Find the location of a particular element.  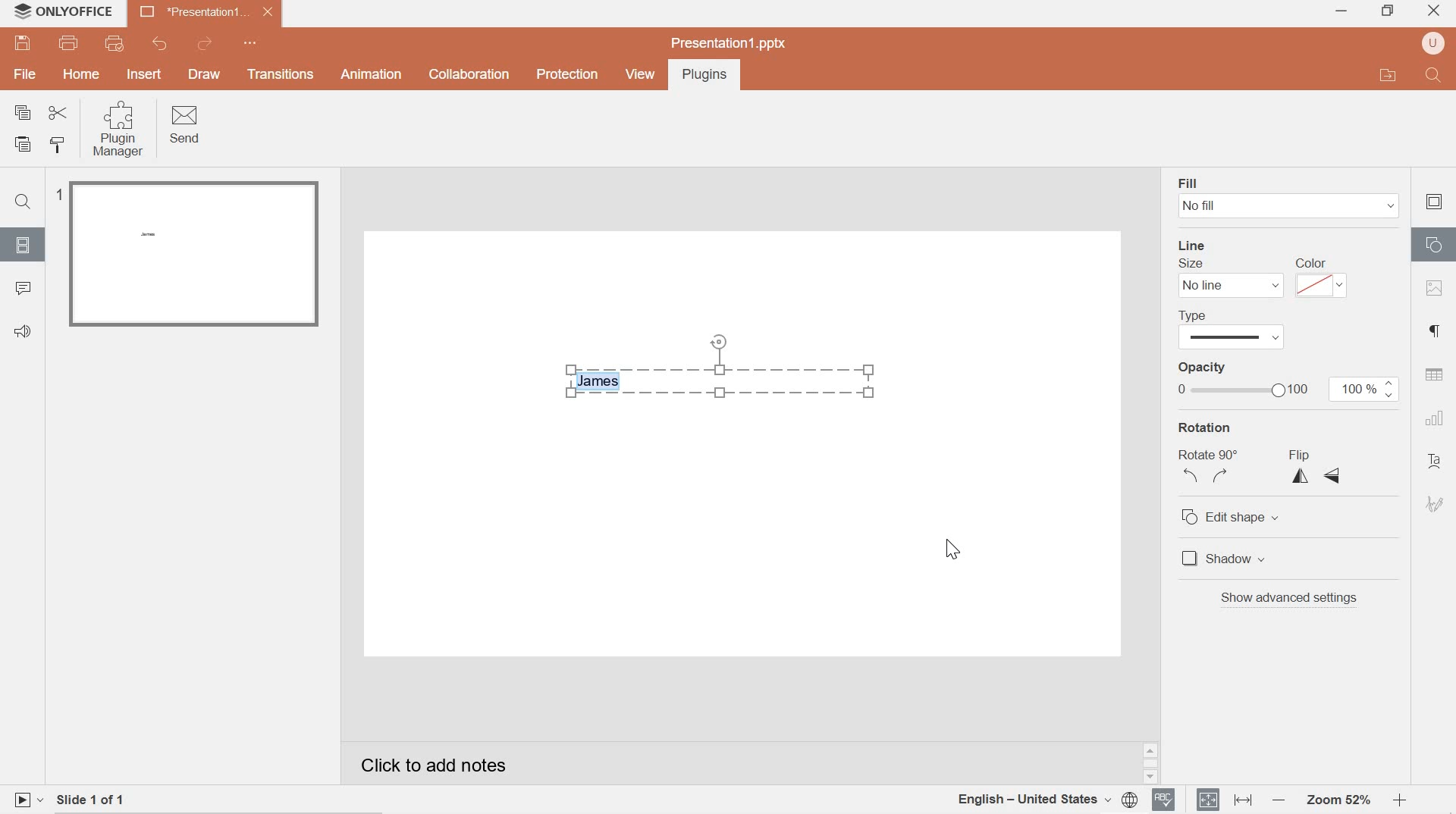

zoom in is located at coordinates (1398, 800).